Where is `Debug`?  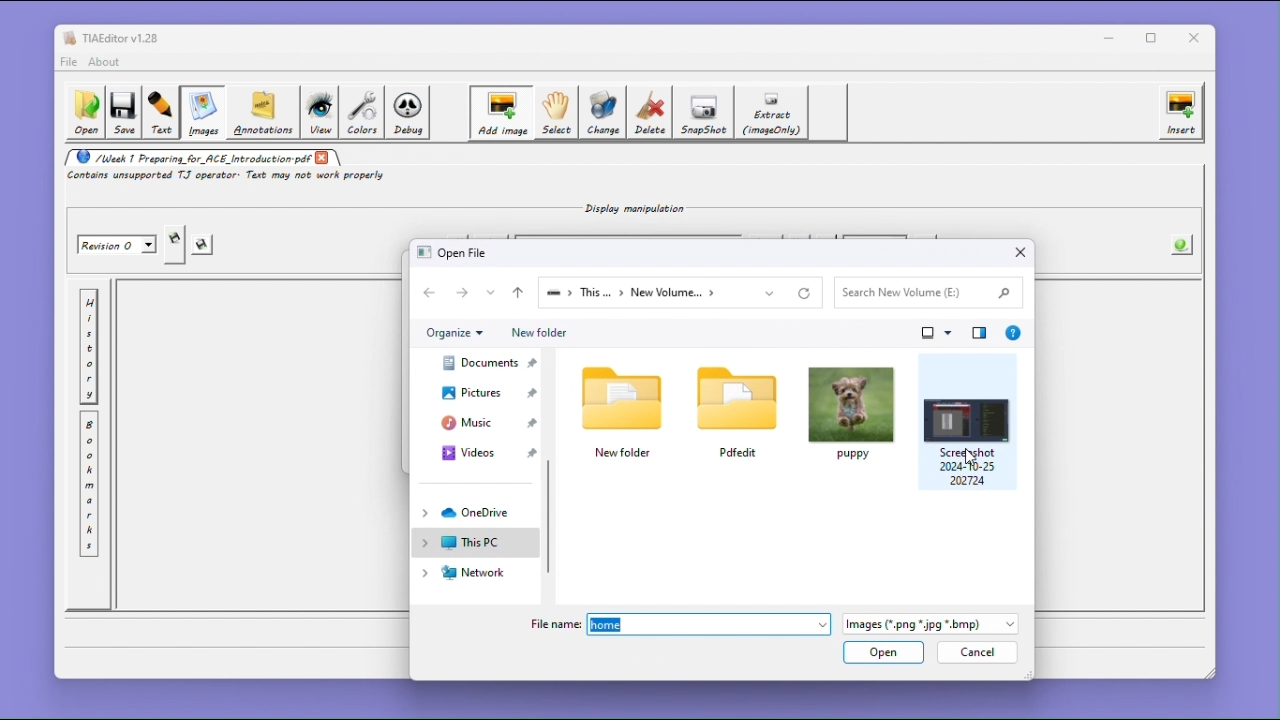 Debug is located at coordinates (410, 113).